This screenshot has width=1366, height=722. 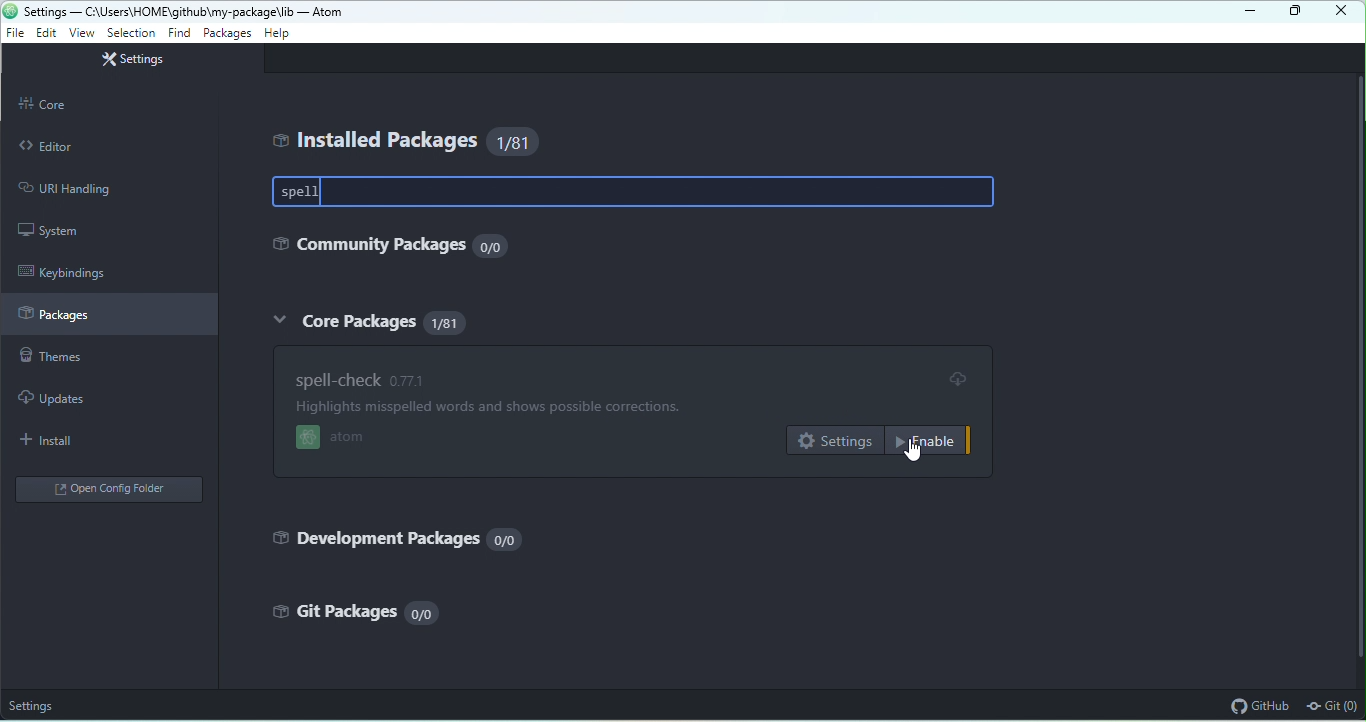 I want to click on updates, so click(x=63, y=396).